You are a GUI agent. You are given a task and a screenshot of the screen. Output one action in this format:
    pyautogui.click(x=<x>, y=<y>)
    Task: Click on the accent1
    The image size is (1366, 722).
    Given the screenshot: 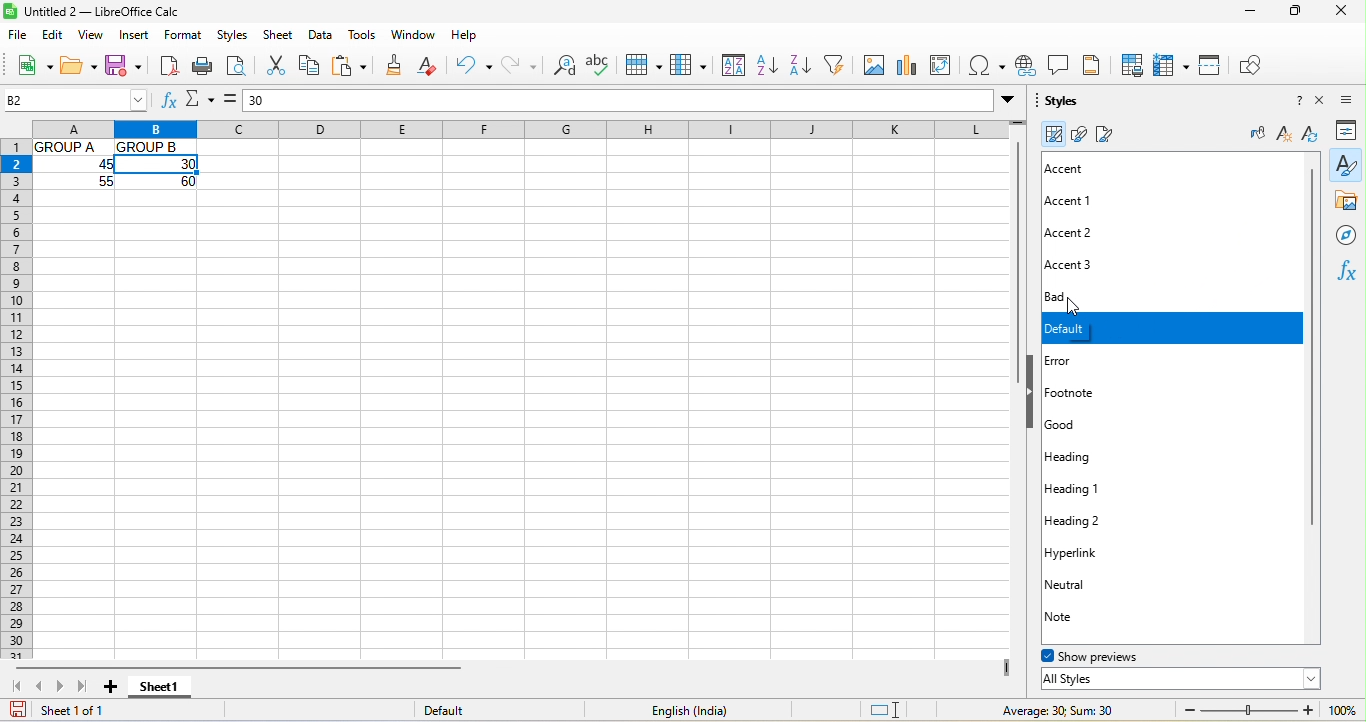 What is the action you would take?
    pyautogui.click(x=1076, y=201)
    